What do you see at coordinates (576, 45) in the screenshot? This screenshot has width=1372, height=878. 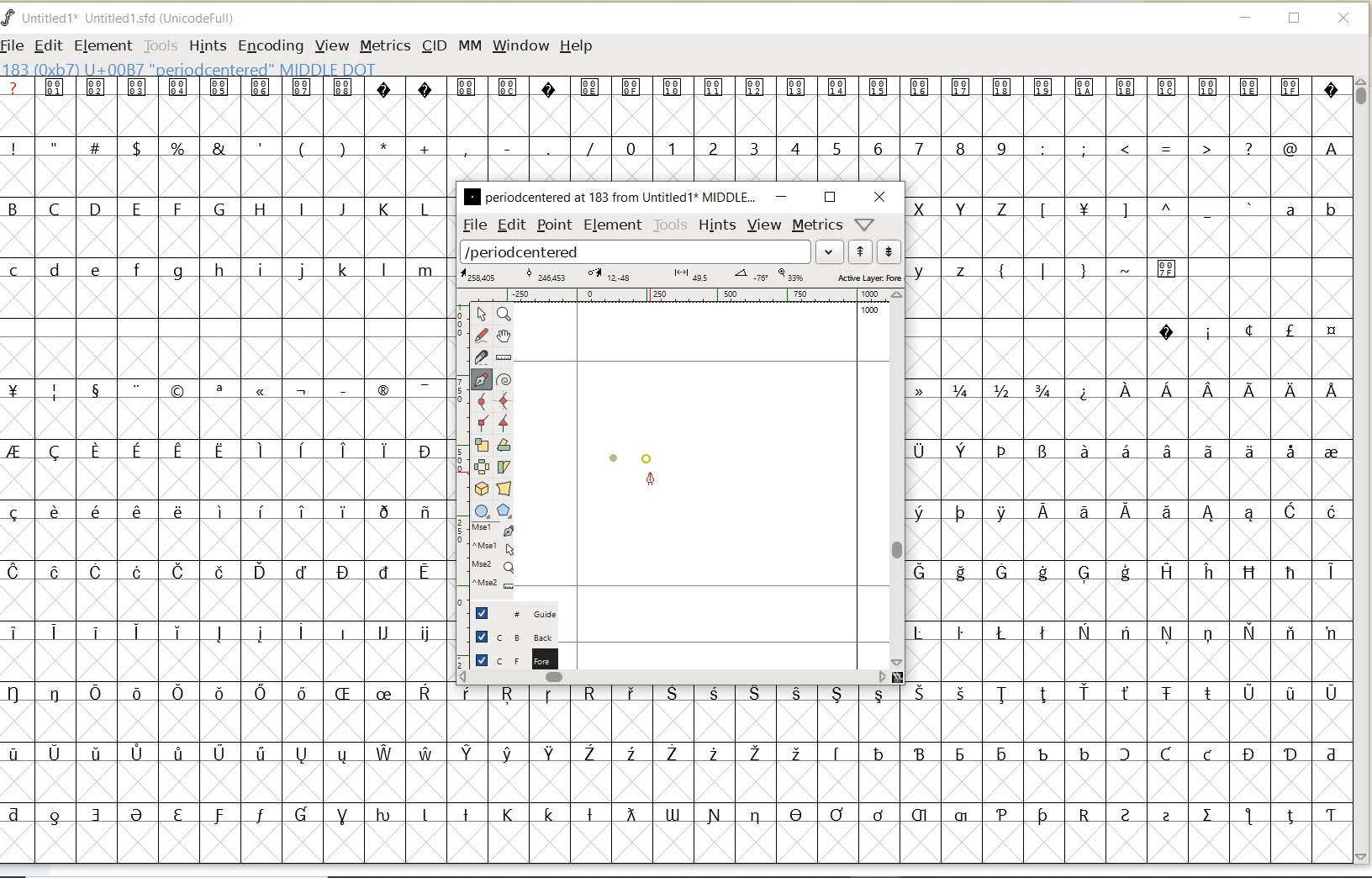 I see `HELP` at bounding box center [576, 45].